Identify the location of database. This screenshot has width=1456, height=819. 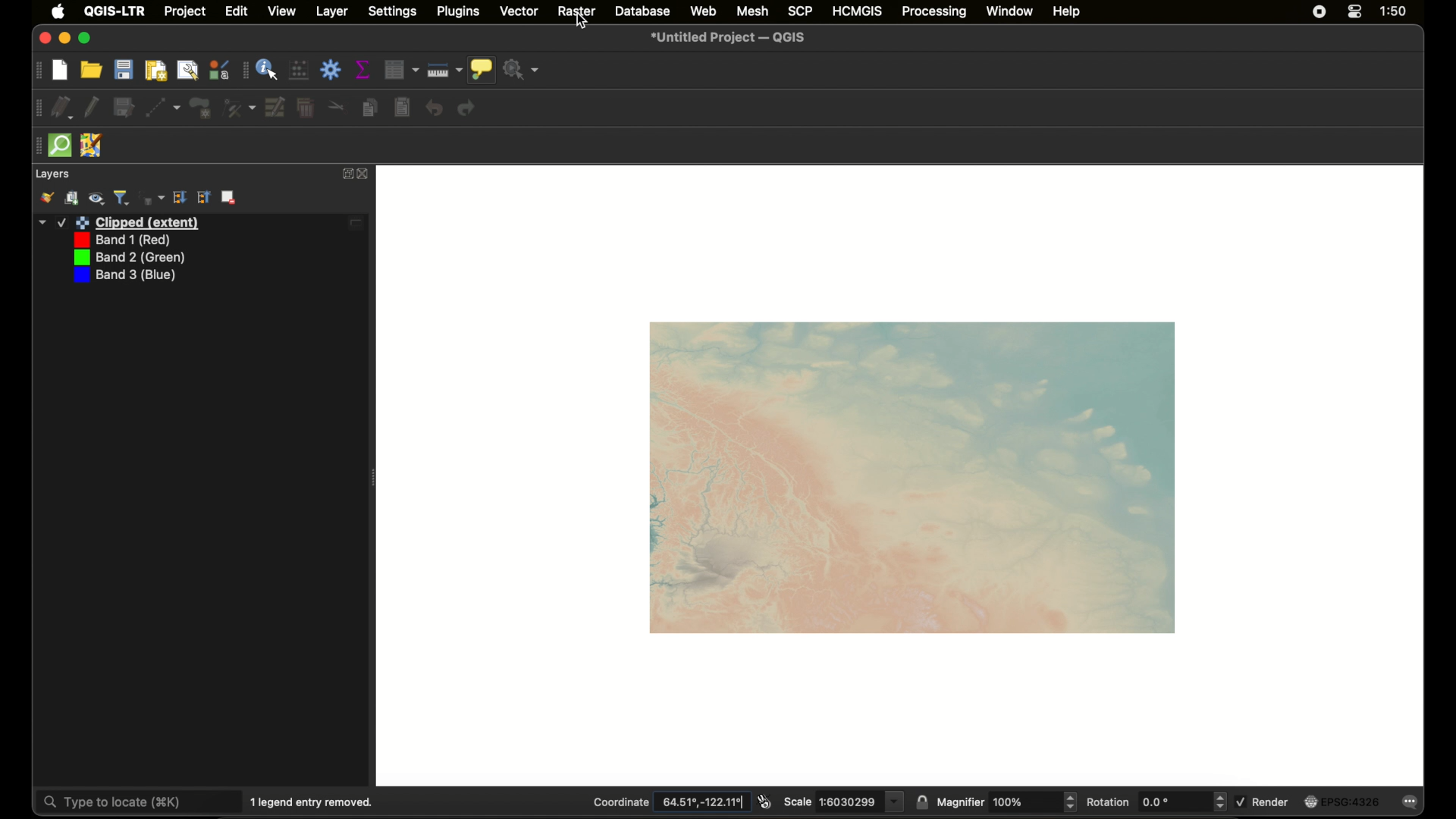
(642, 11).